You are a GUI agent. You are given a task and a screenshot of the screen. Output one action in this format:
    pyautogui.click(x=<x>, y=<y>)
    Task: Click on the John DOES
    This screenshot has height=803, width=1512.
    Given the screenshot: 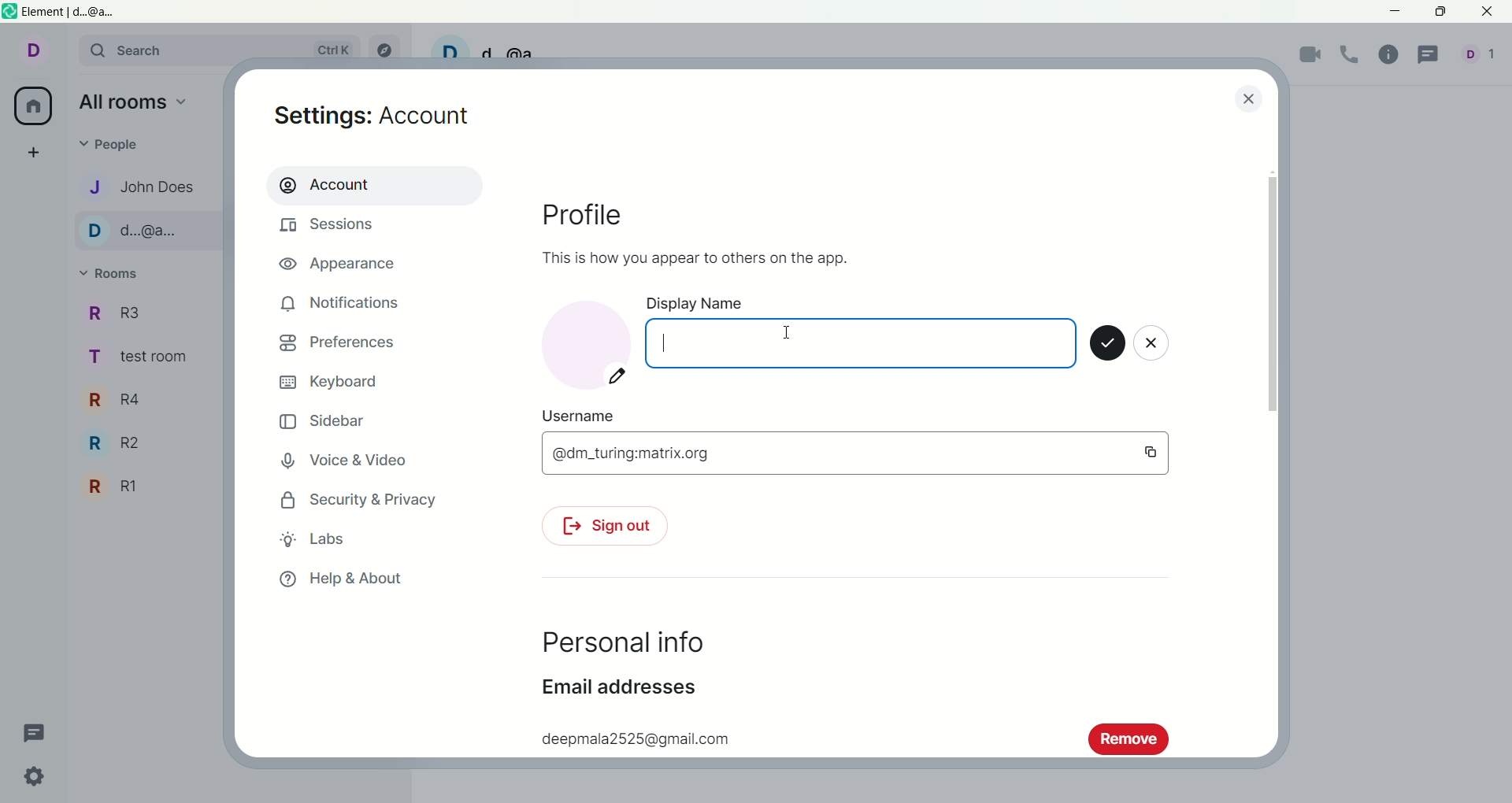 What is the action you would take?
    pyautogui.click(x=136, y=186)
    